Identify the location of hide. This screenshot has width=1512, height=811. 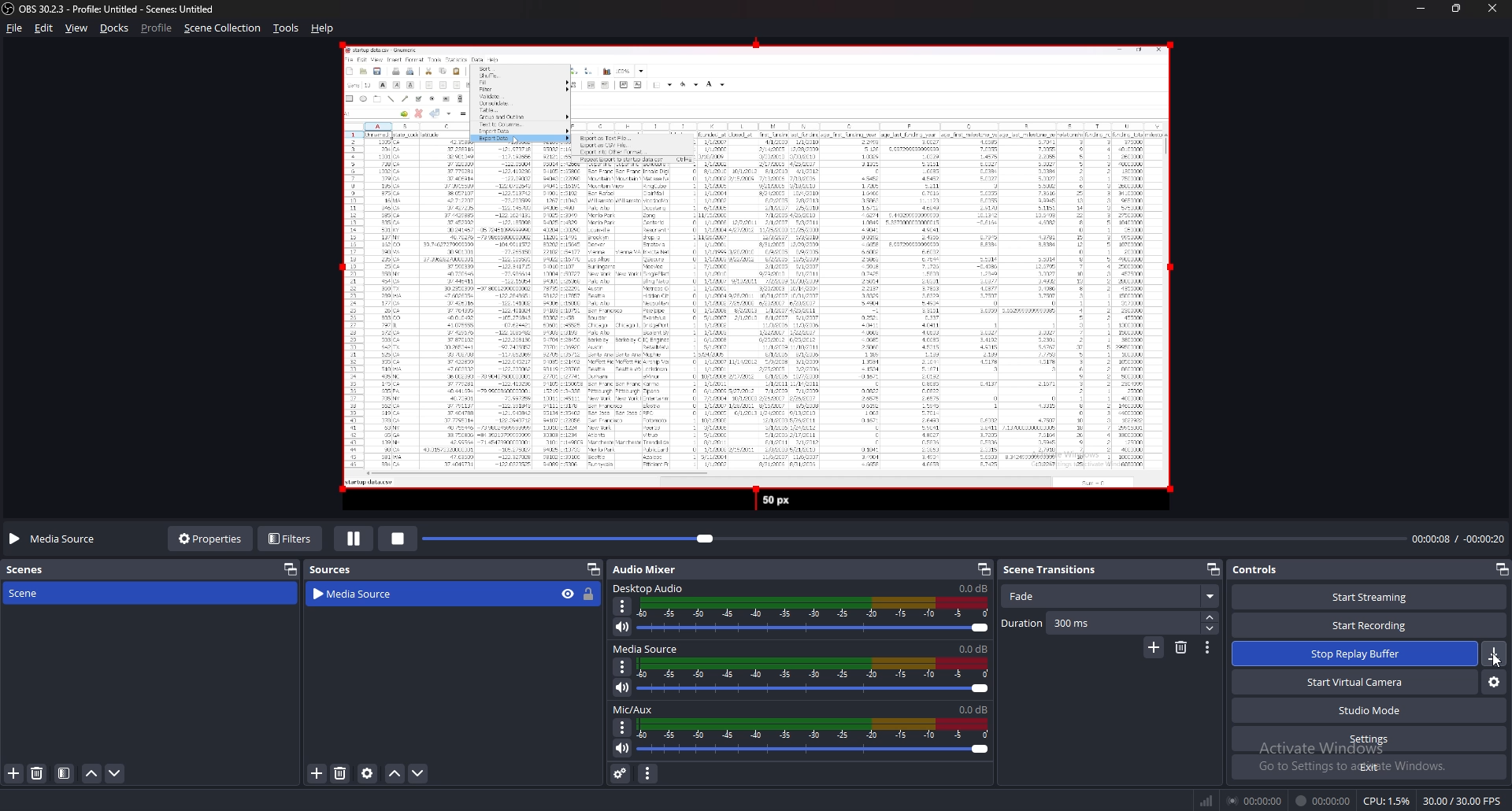
(568, 594).